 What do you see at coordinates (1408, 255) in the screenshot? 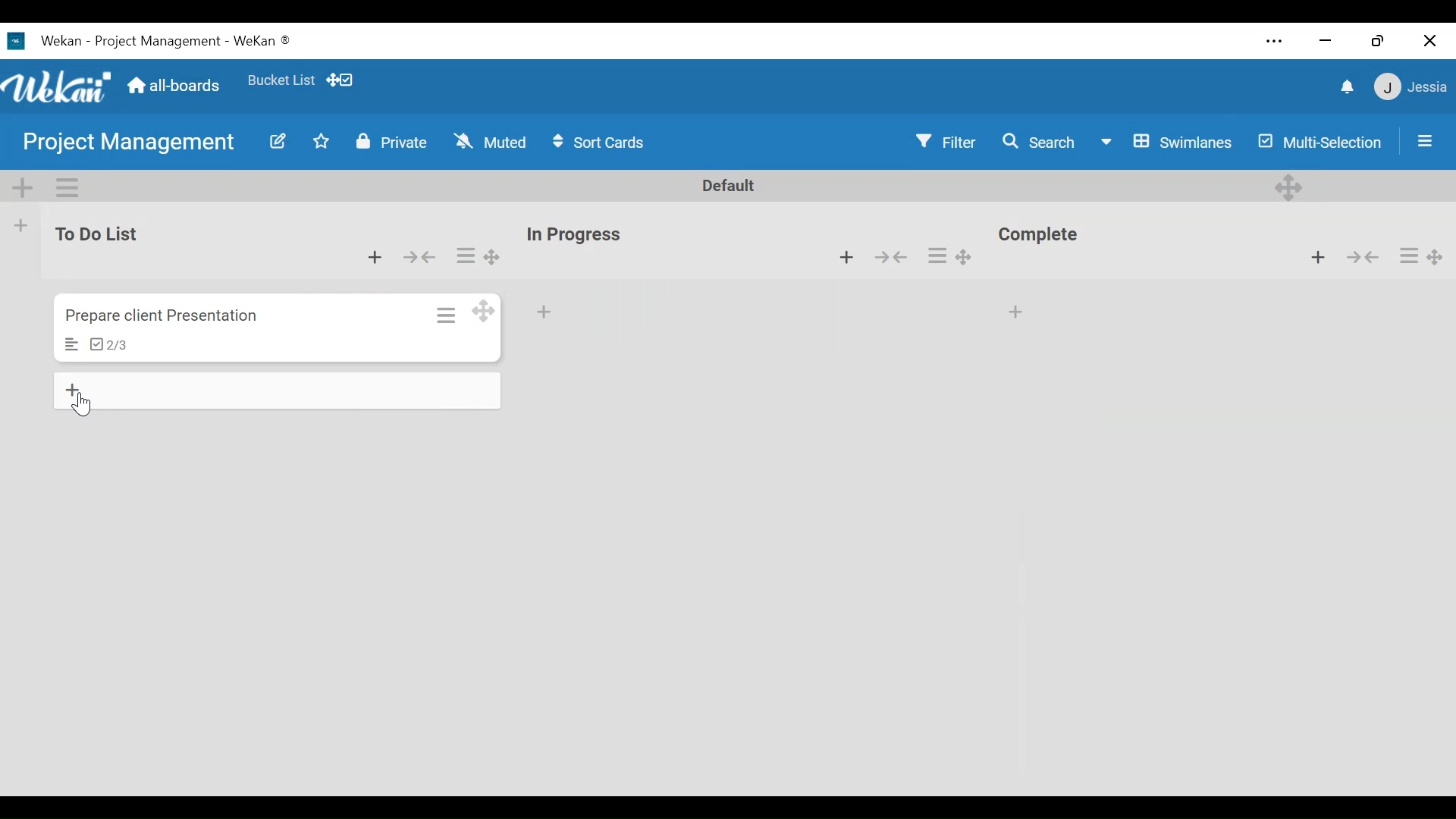
I see `Card actions` at bounding box center [1408, 255].